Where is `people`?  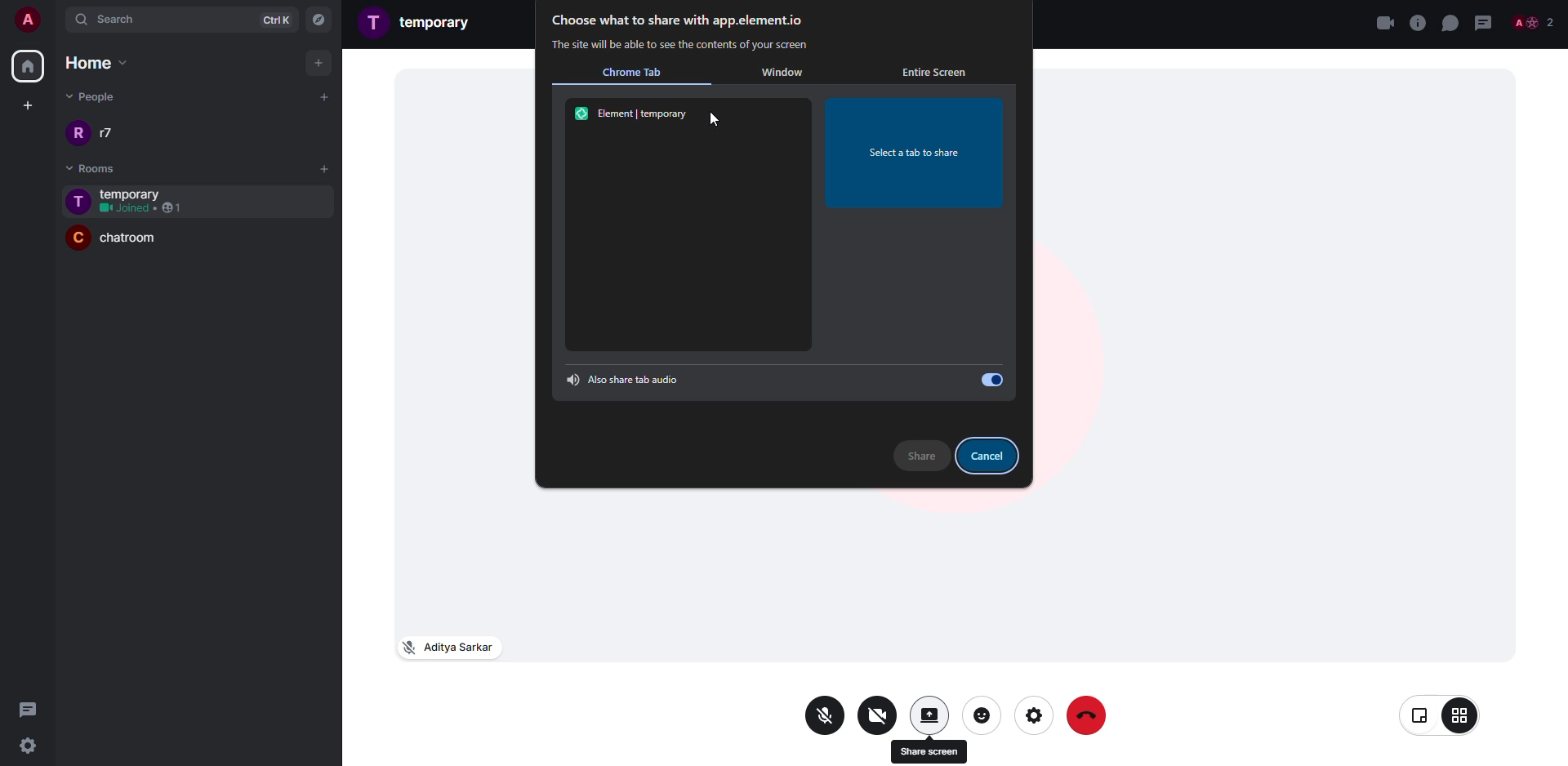
people is located at coordinates (1535, 22).